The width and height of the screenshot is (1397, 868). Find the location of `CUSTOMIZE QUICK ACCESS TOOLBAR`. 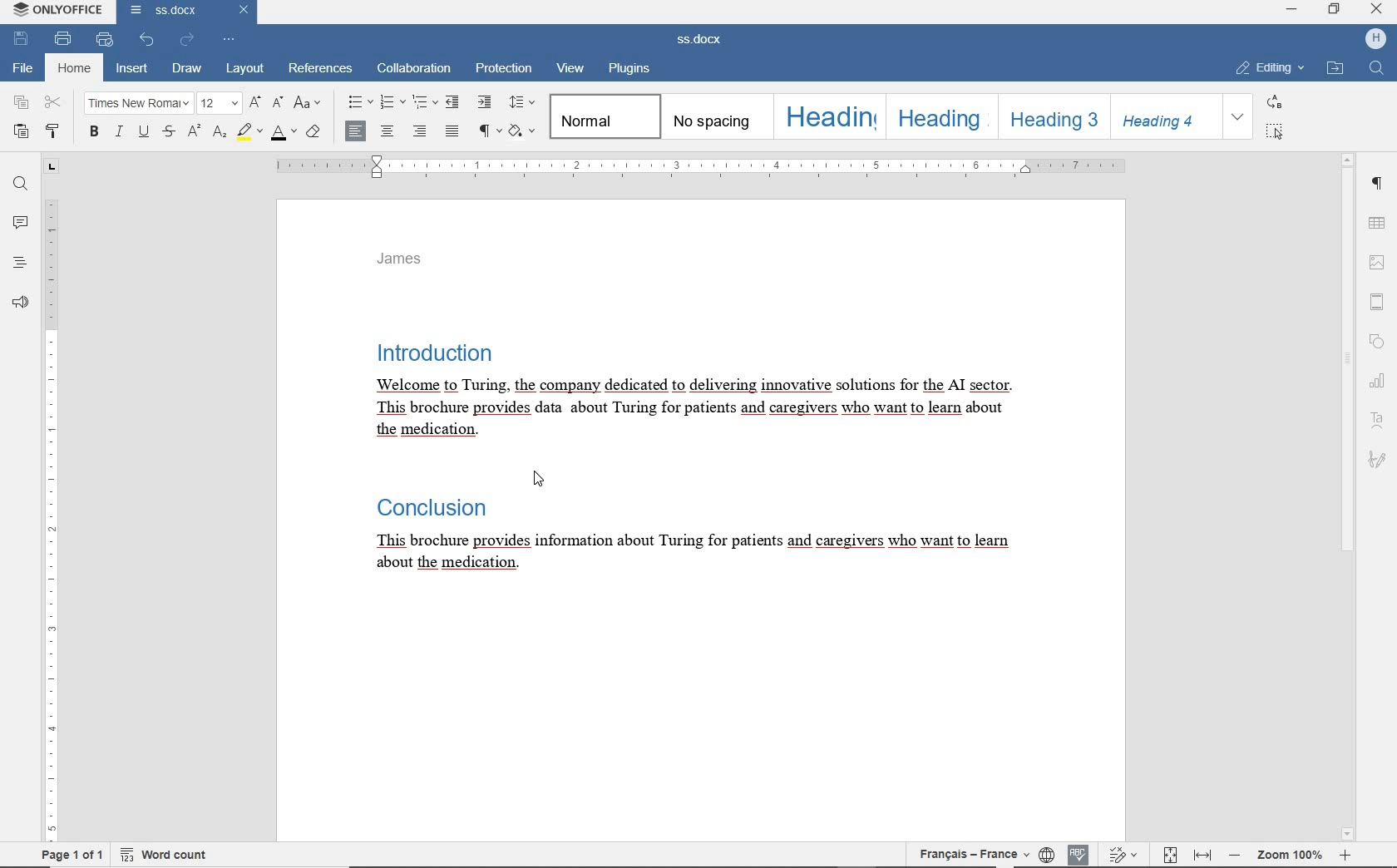

CUSTOMIZE QUICK ACCESS TOOLBAR is located at coordinates (228, 42).